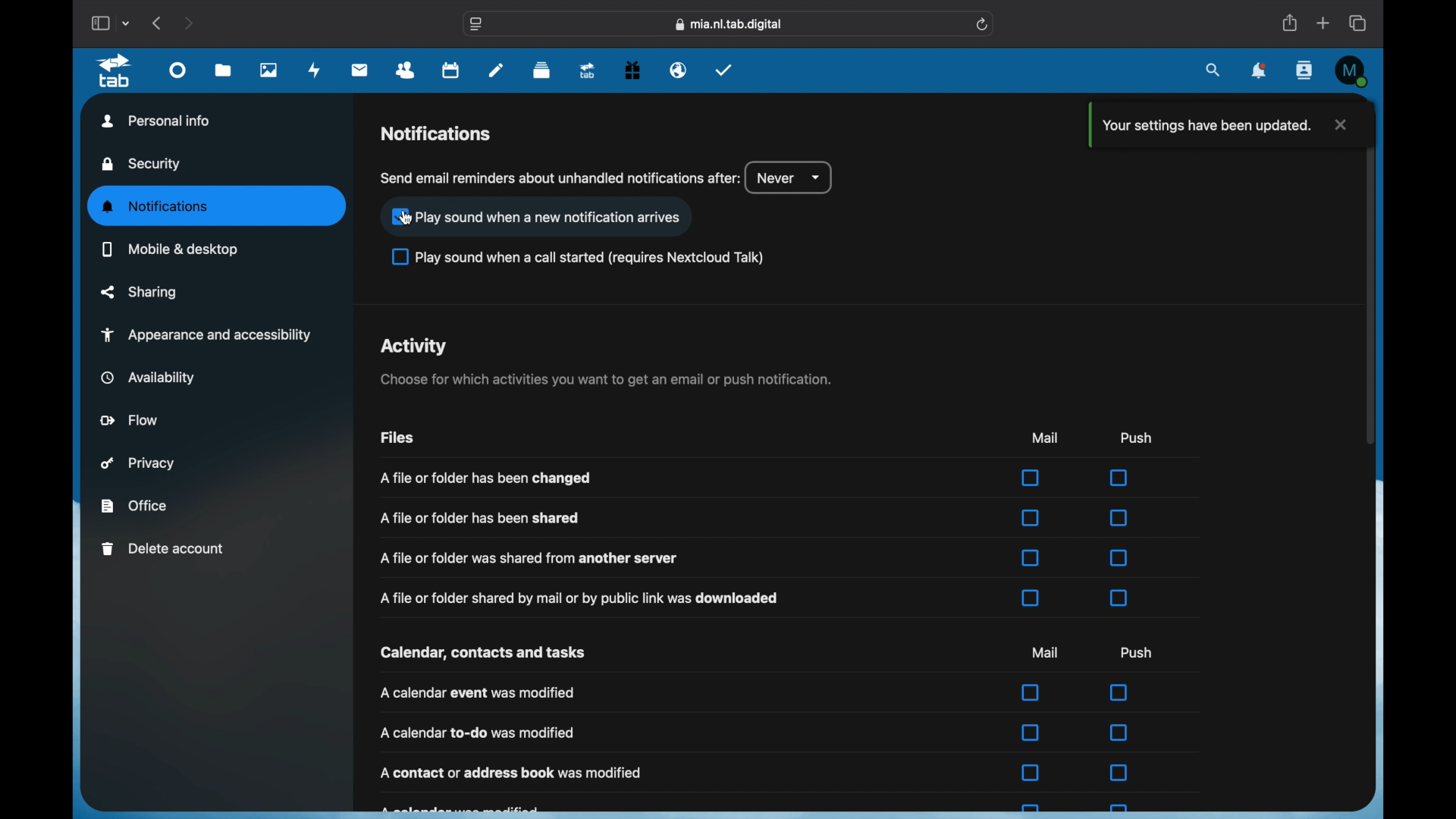  What do you see at coordinates (496, 69) in the screenshot?
I see `notes` at bounding box center [496, 69].